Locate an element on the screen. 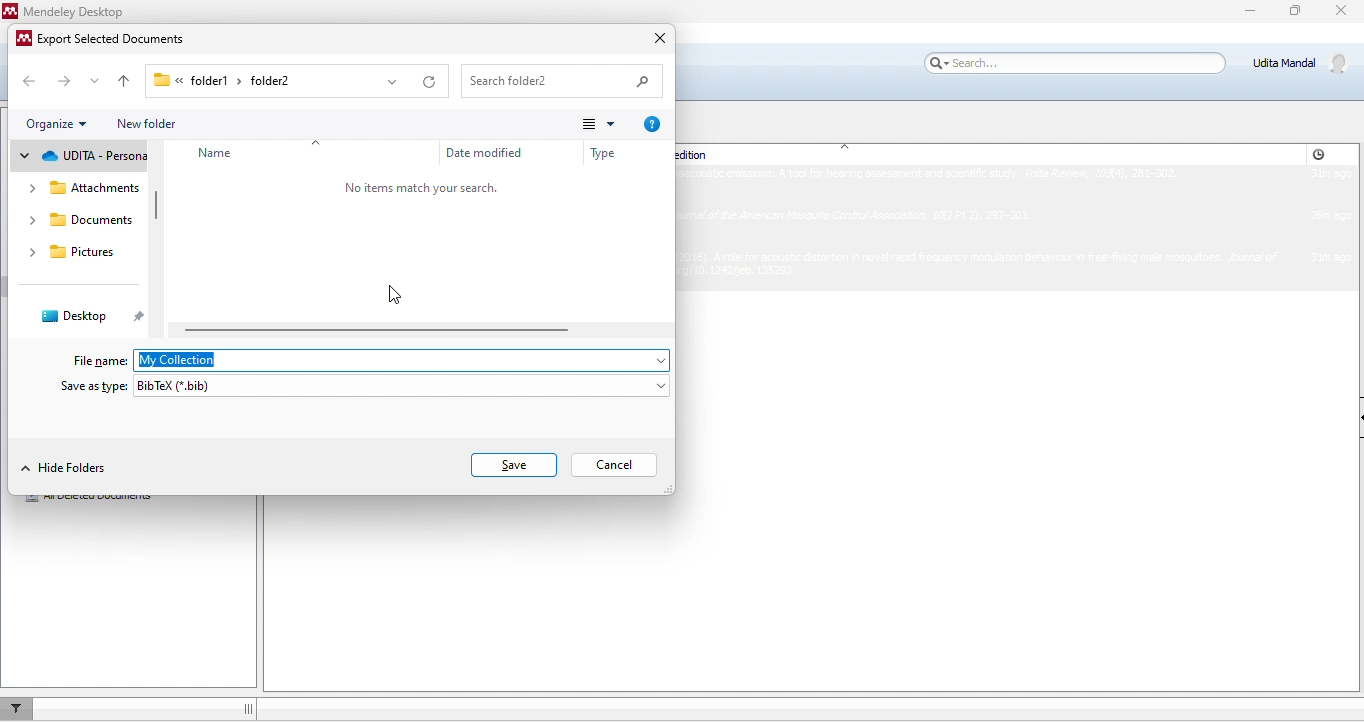 The image size is (1364, 722). close is located at coordinates (1344, 13).